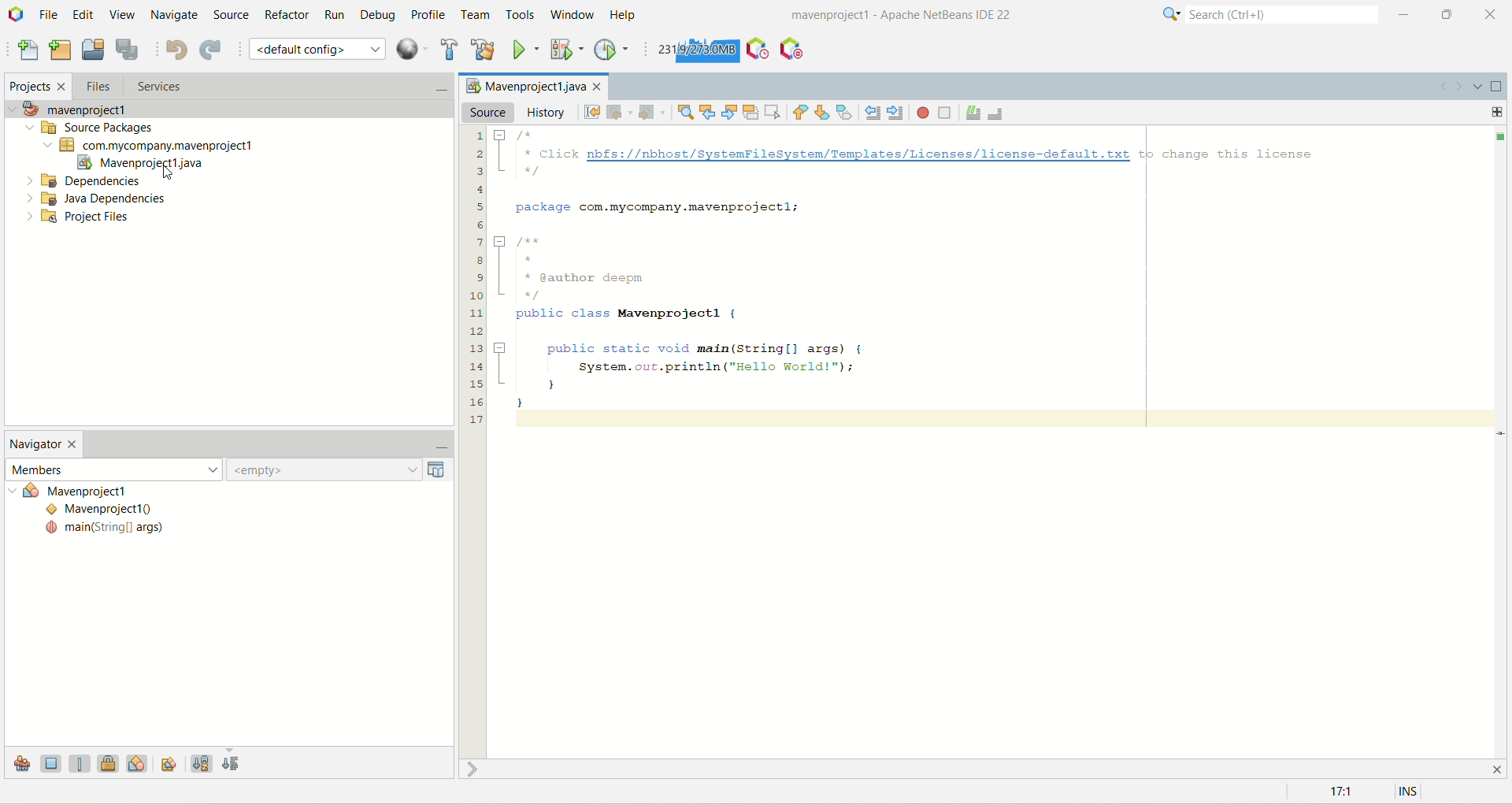 The height and width of the screenshot is (805, 1512). I want to click on source package, so click(86, 128).